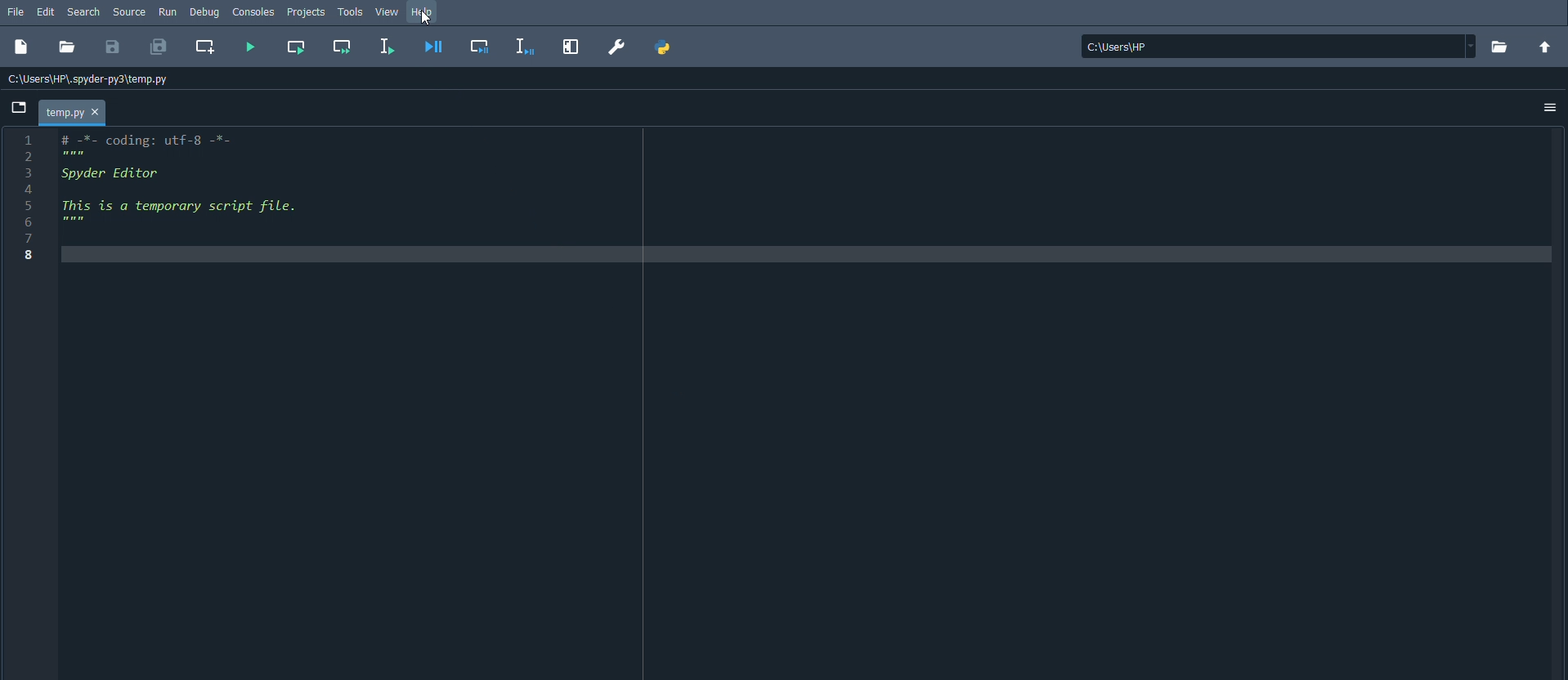 Image resolution: width=1568 pixels, height=680 pixels. I want to click on PYTHONPATH manager, so click(666, 47).